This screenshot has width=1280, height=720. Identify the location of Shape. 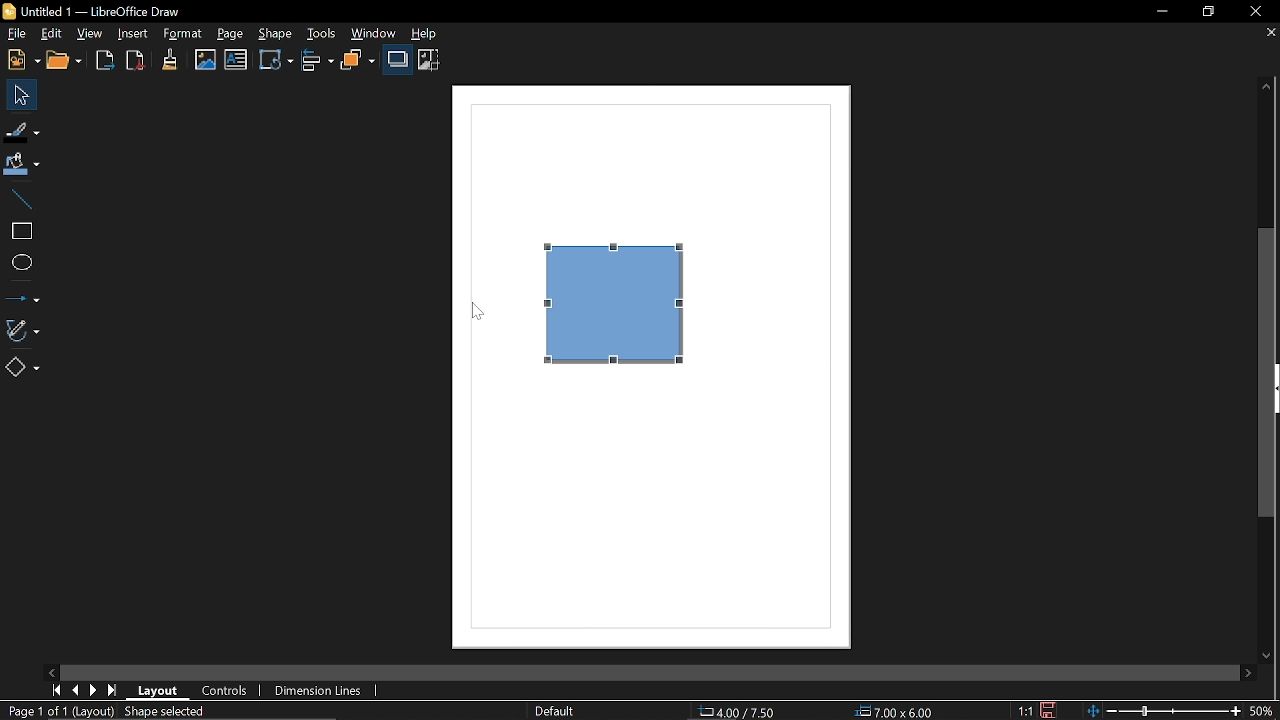
(276, 33).